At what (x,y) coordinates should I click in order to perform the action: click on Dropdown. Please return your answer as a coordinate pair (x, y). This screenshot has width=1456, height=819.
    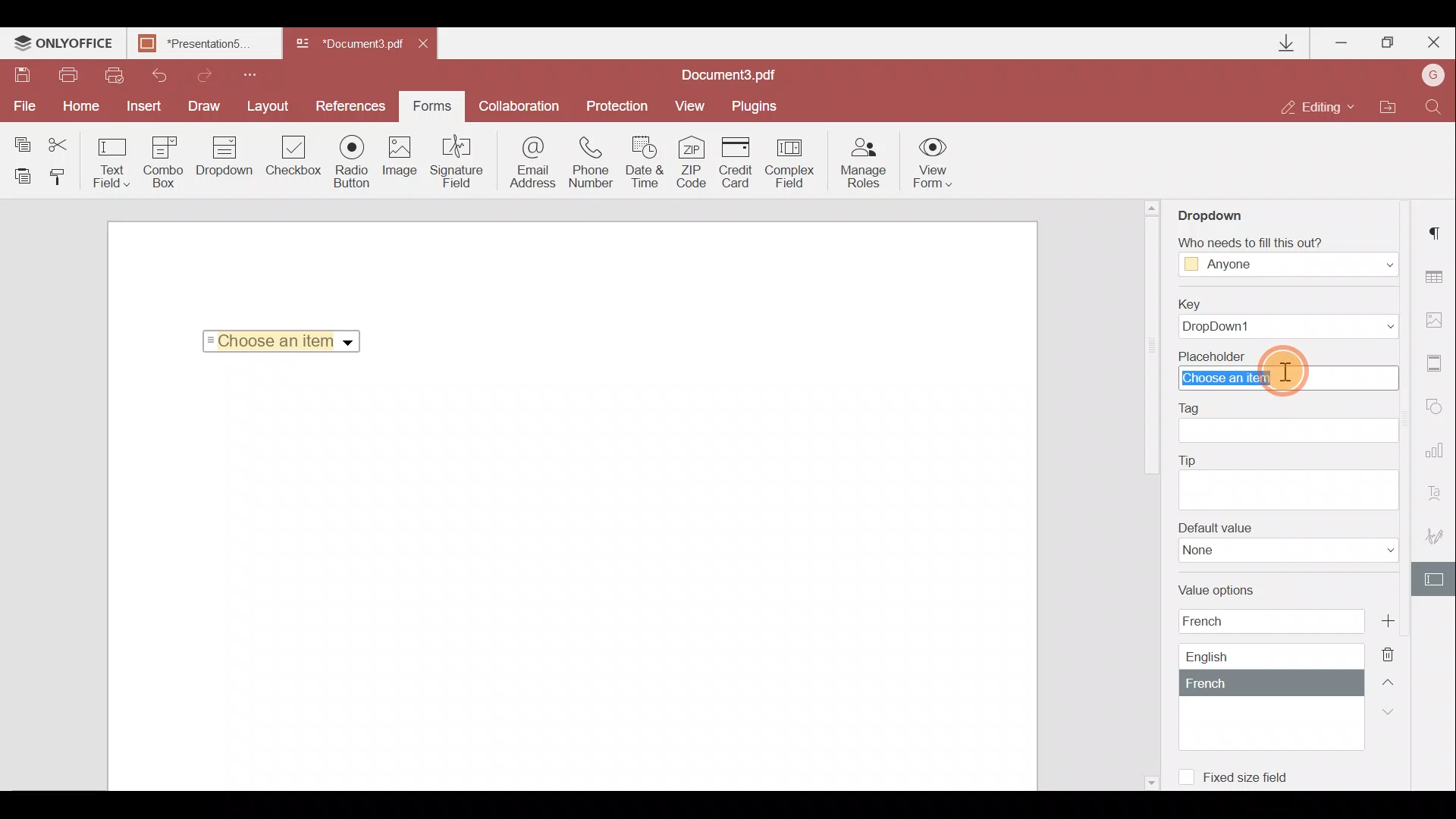
    Looking at the image, I should click on (1224, 210).